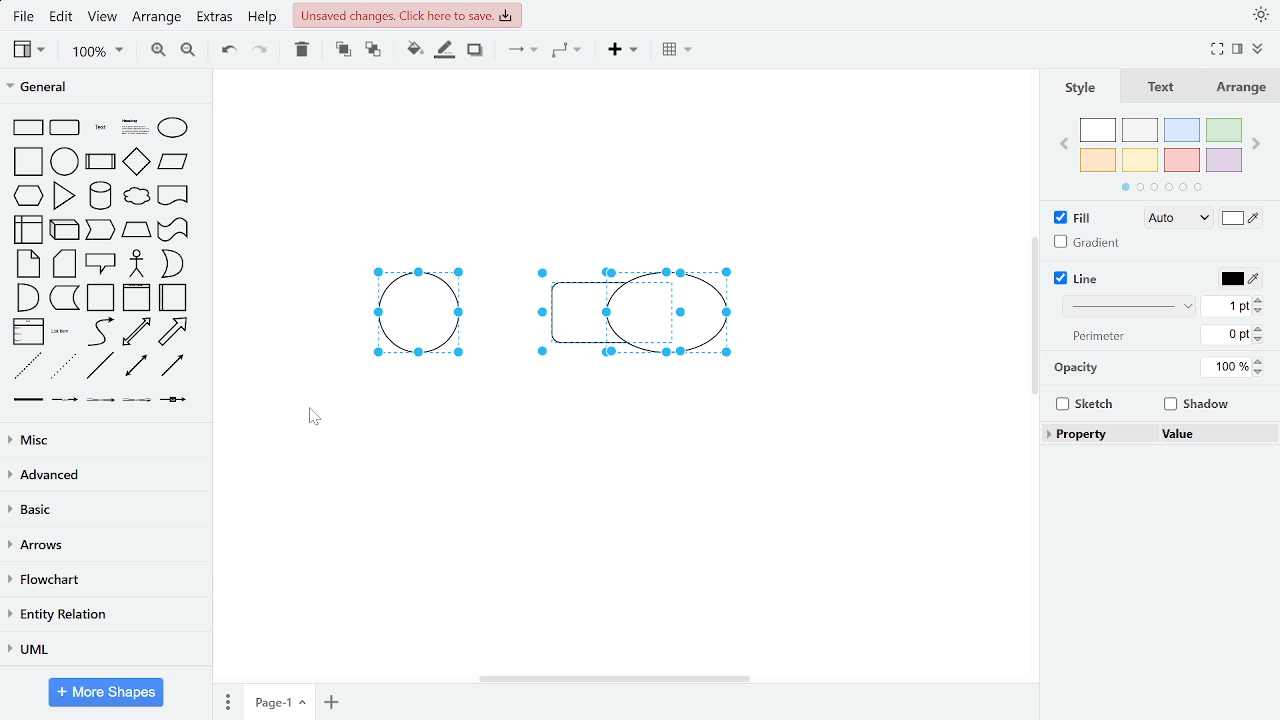 The width and height of the screenshot is (1280, 720). I want to click on Connector with label, so click(65, 403).